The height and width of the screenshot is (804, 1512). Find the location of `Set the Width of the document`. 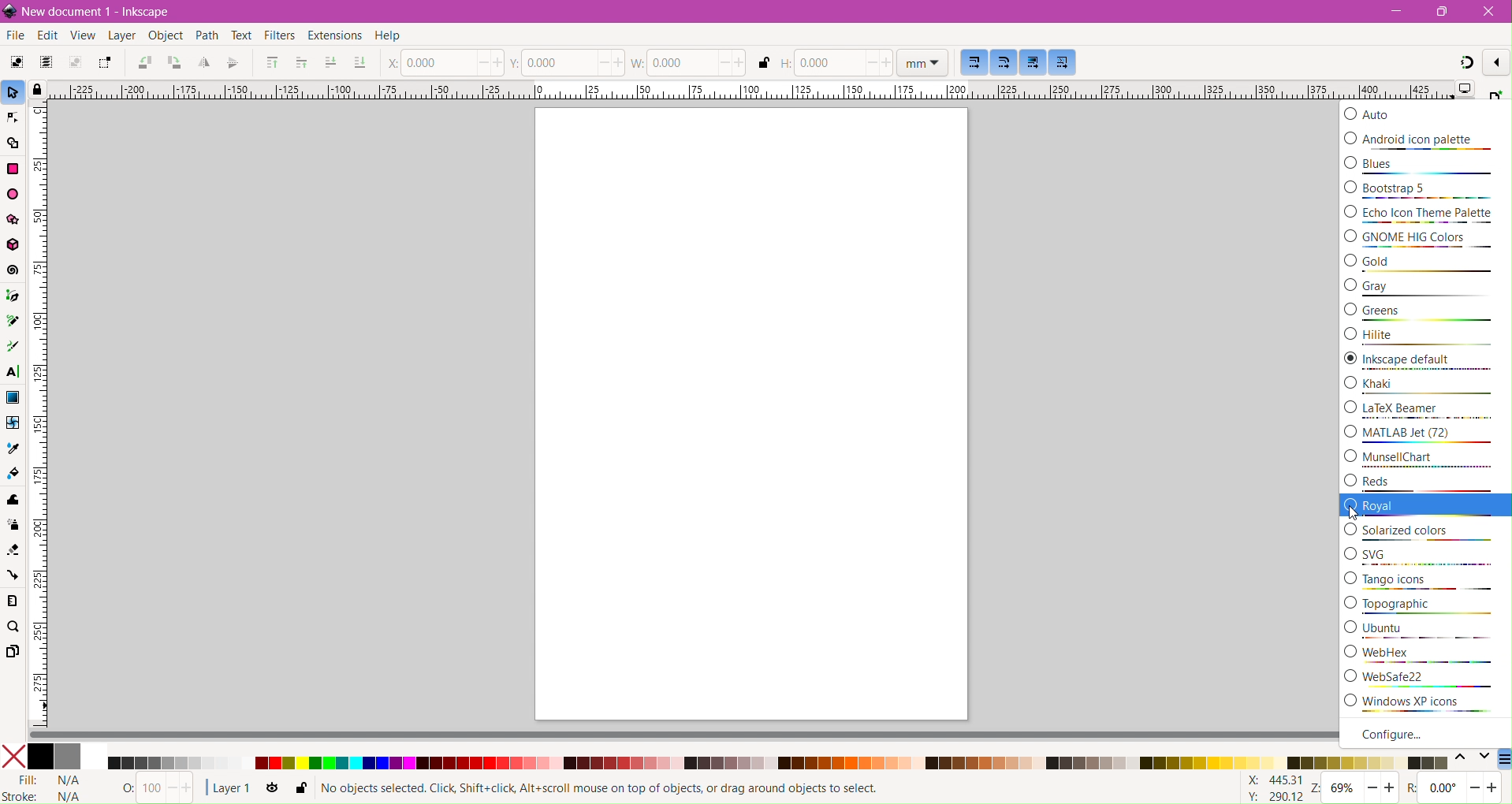

Set the Width of the document is located at coordinates (690, 62).